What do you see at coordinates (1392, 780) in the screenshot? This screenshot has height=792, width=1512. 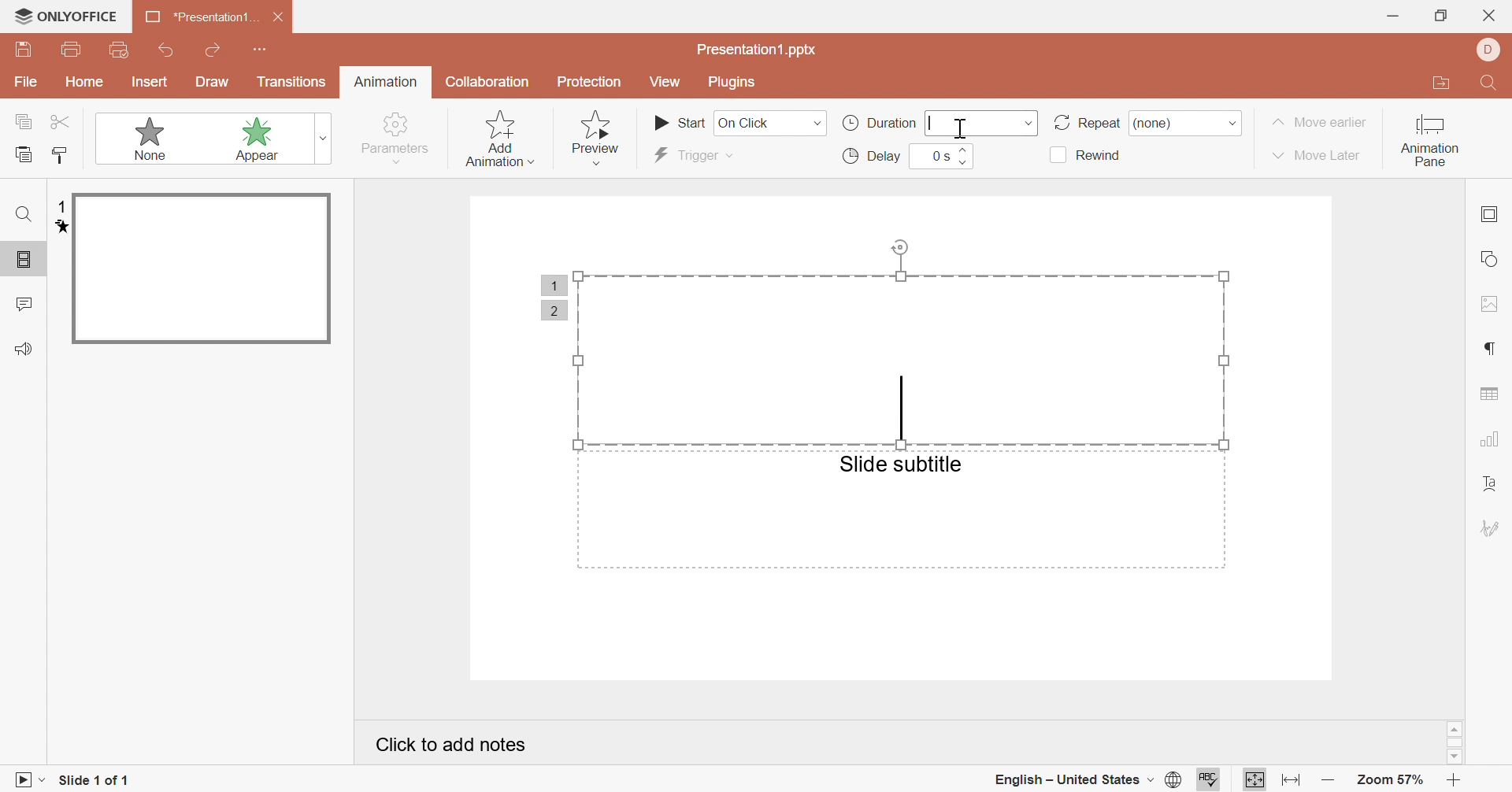 I see `zoom 57%` at bounding box center [1392, 780].